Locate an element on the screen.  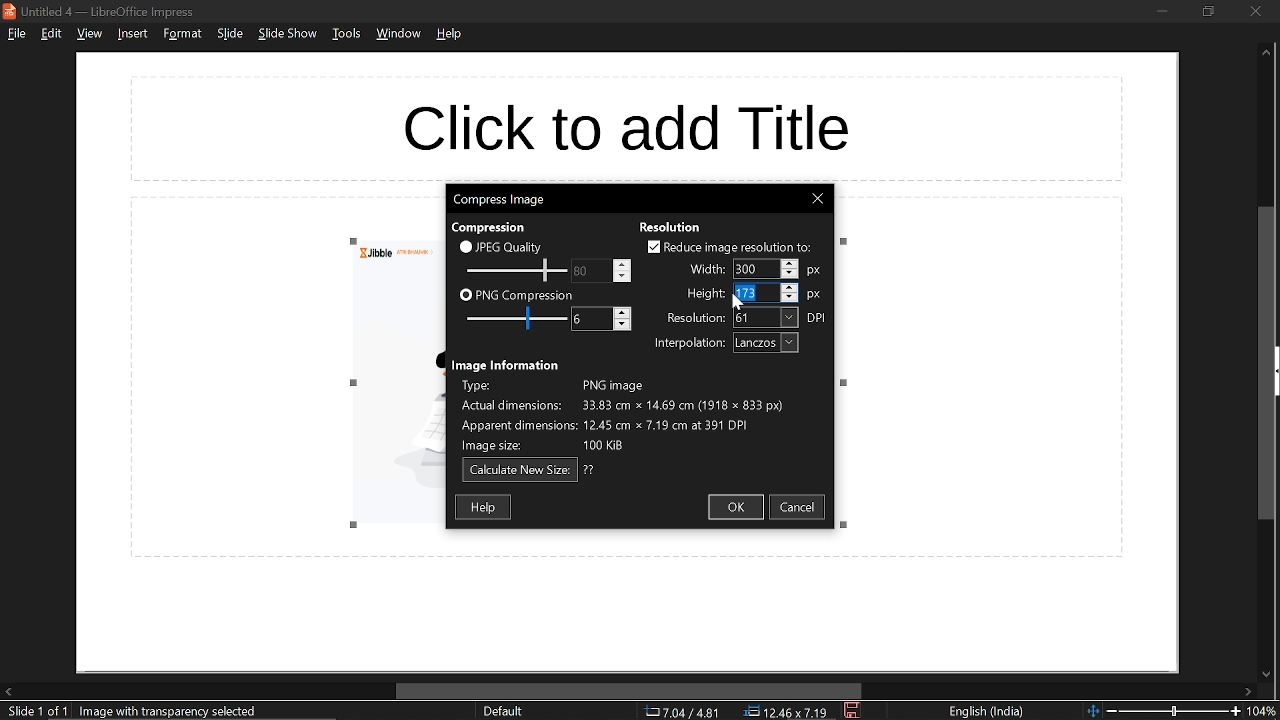
calculate new size is located at coordinates (519, 470).